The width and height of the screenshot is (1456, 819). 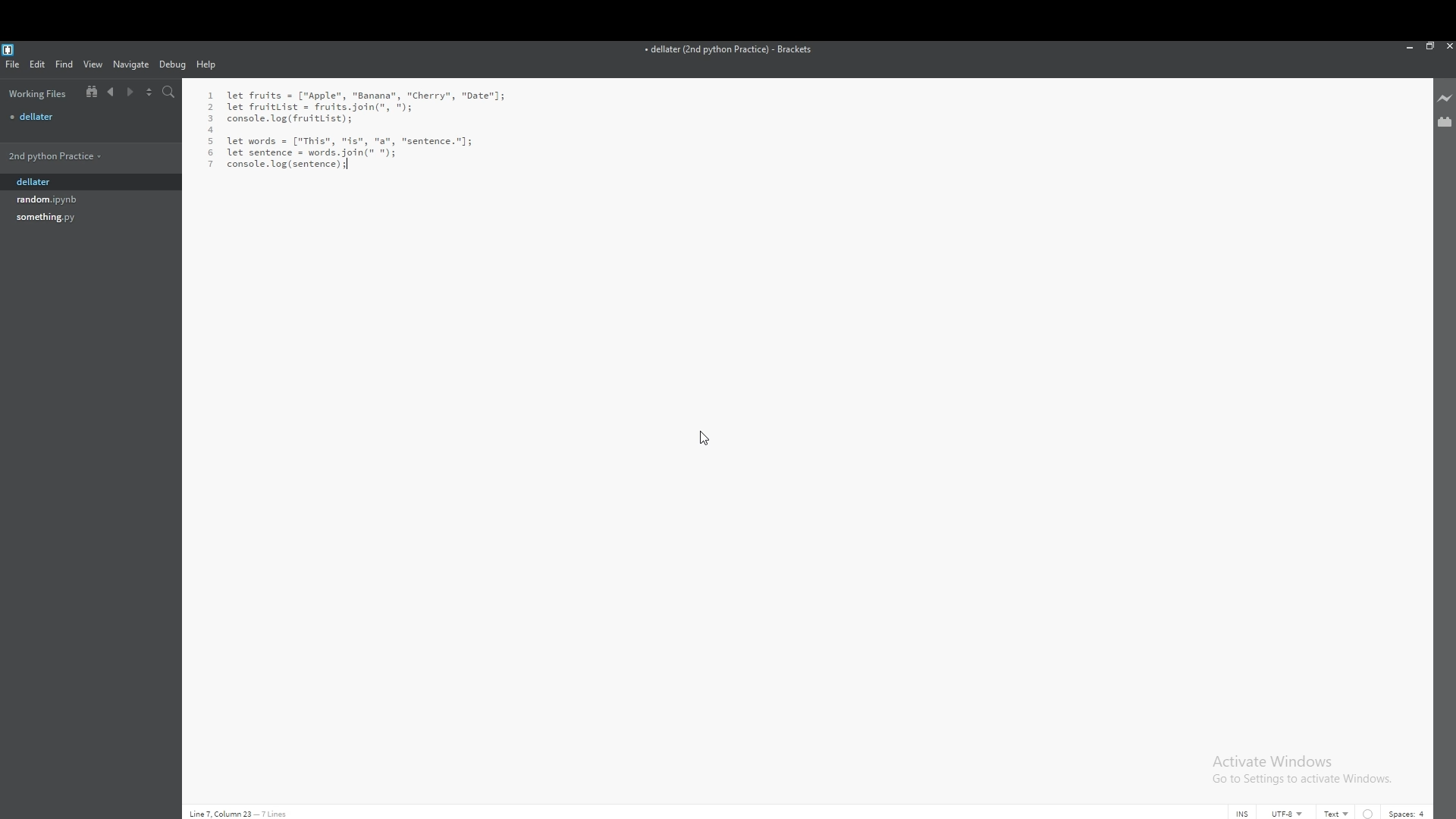 What do you see at coordinates (708, 434) in the screenshot?
I see `cursor` at bounding box center [708, 434].